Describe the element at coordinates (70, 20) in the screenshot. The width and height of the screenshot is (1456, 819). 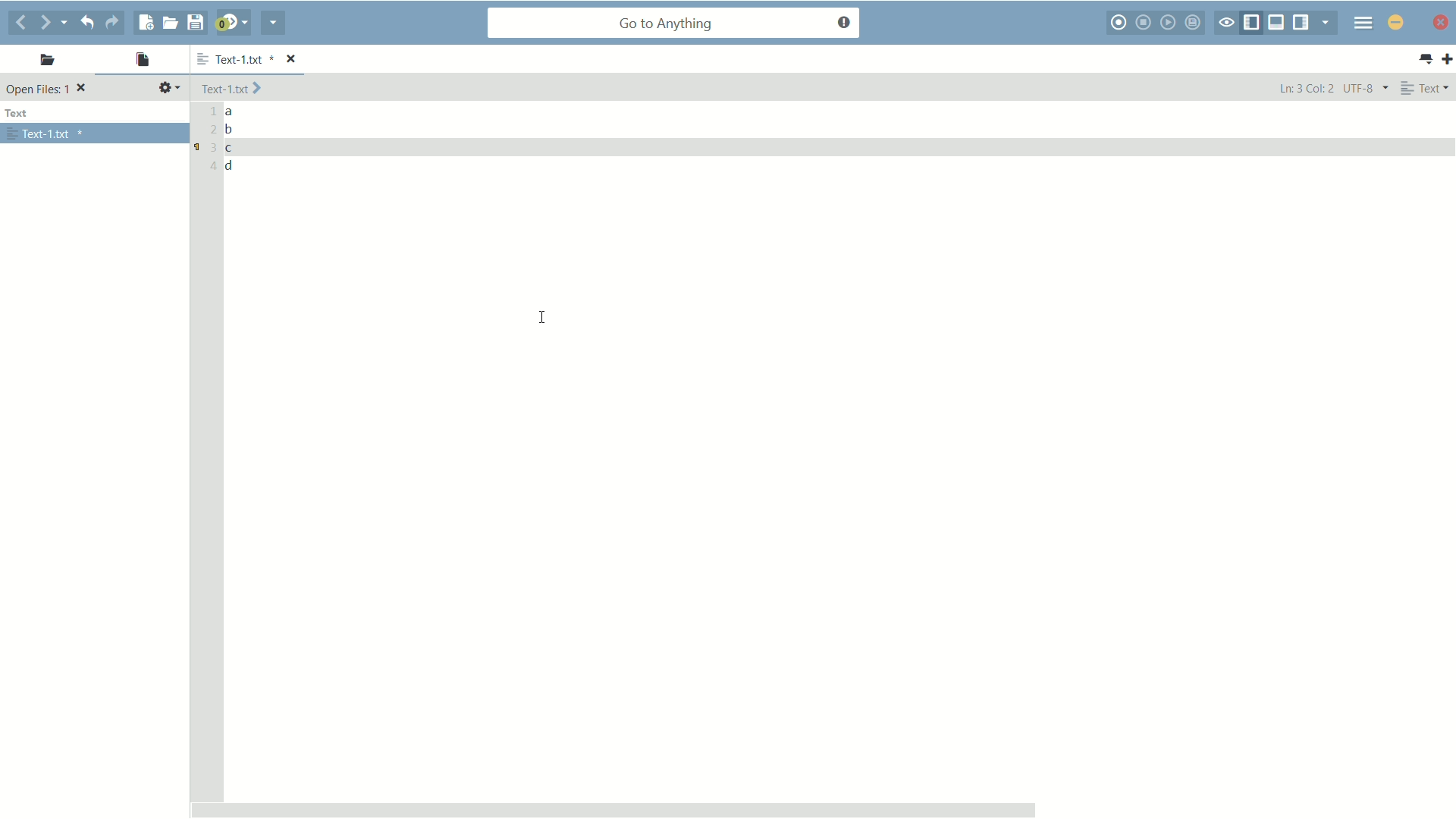
I see `recent location` at that location.